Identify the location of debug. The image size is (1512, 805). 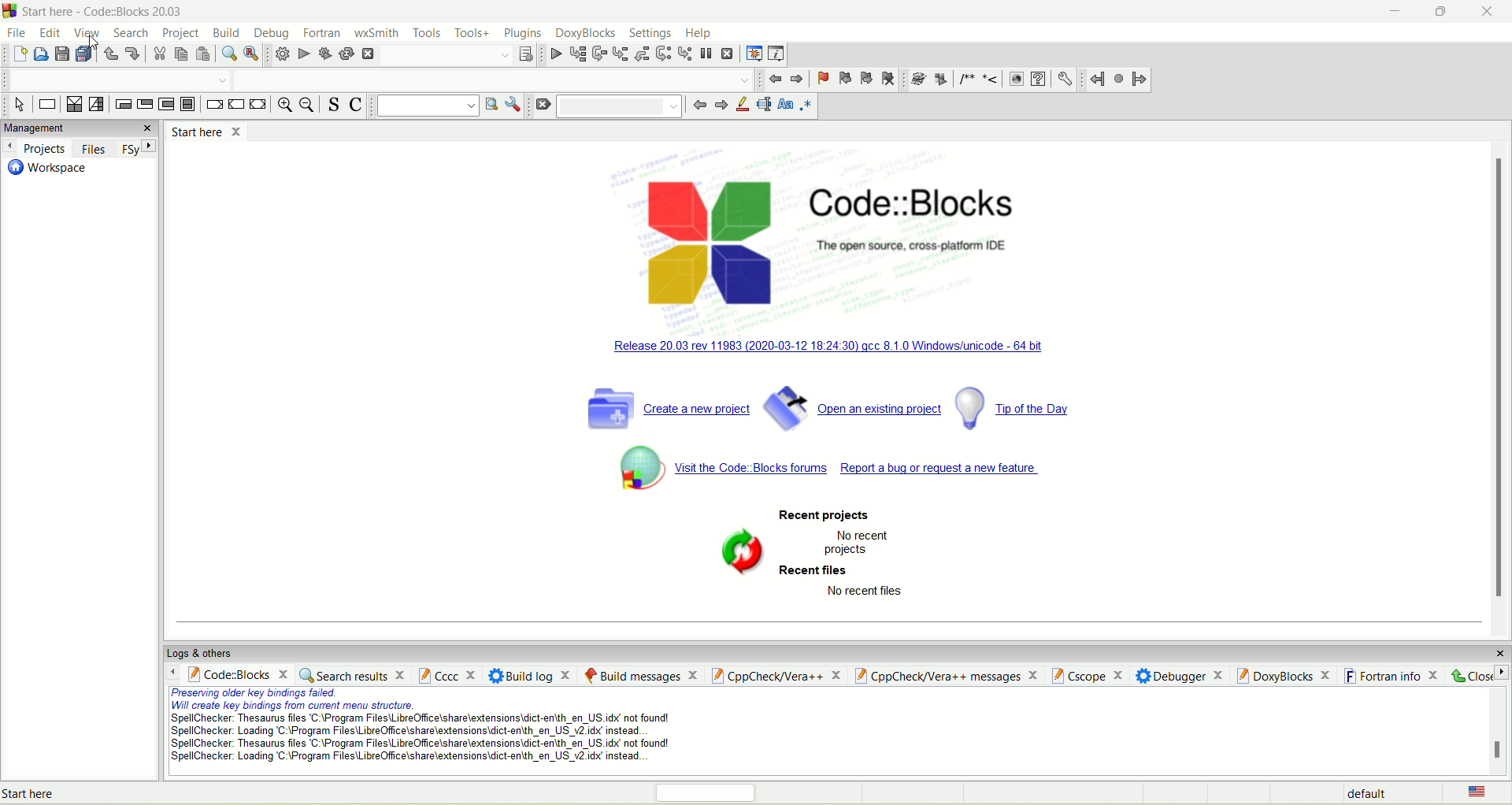
(269, 32).